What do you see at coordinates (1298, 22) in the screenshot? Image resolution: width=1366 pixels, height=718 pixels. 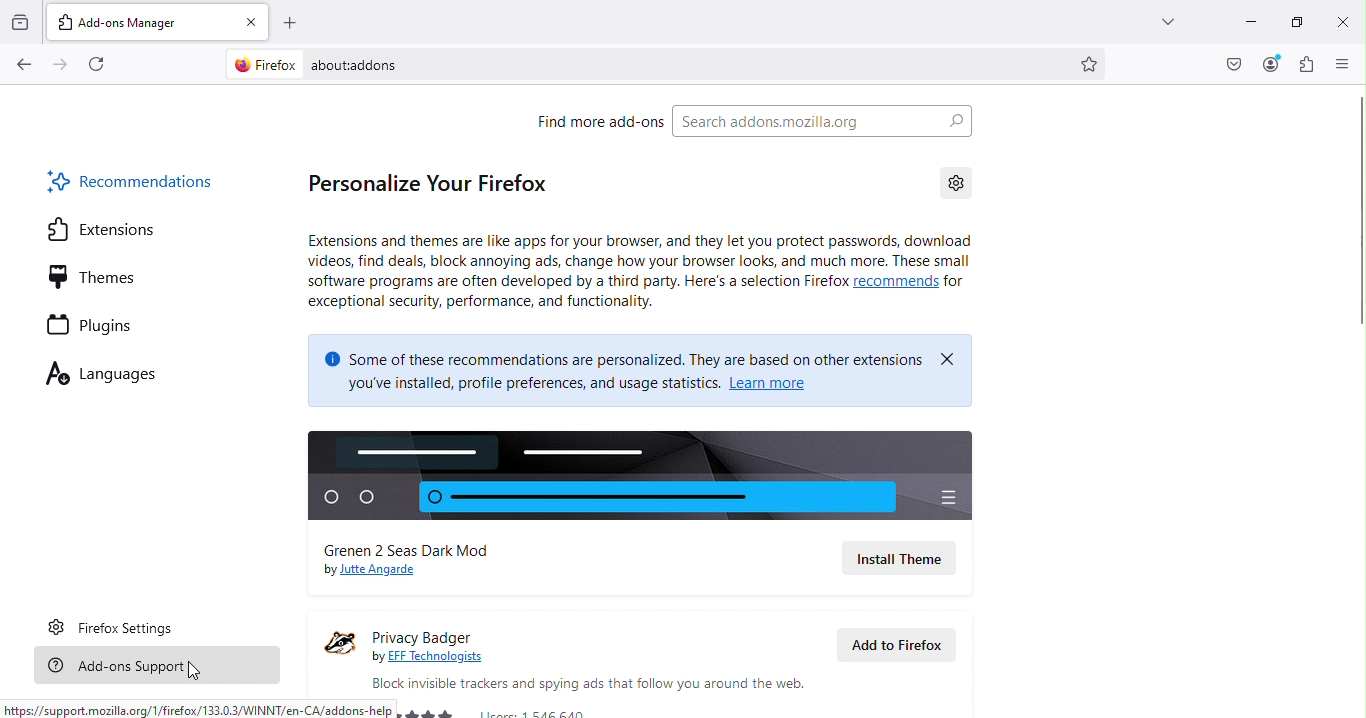 I see `Maximize` at bounding box center [1298, 22].